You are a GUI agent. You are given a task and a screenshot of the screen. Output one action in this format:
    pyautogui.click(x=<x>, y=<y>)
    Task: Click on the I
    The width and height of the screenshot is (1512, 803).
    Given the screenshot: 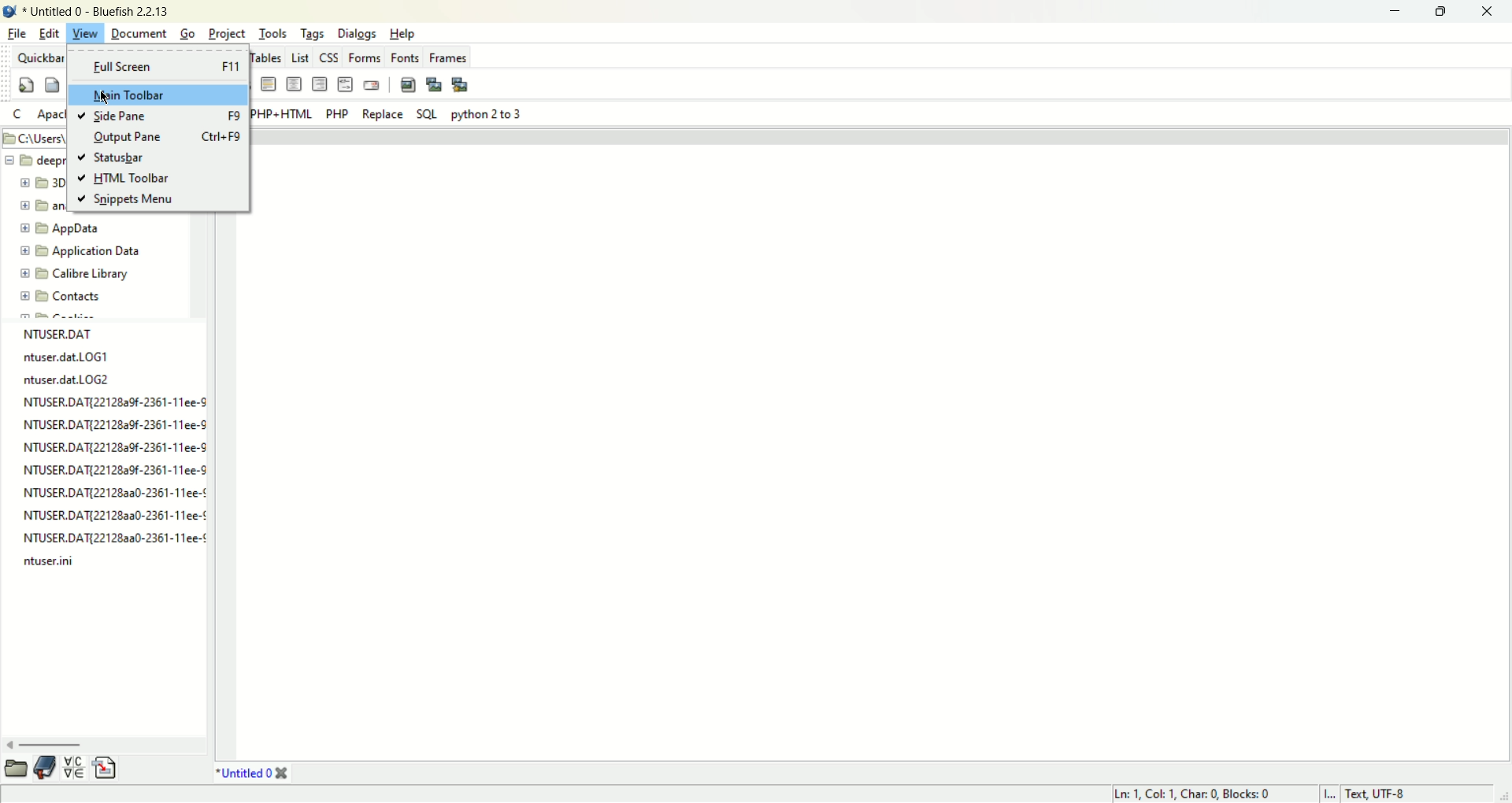 What is the action you would take?
    pyautogui.click(x=1332, y=794)
    